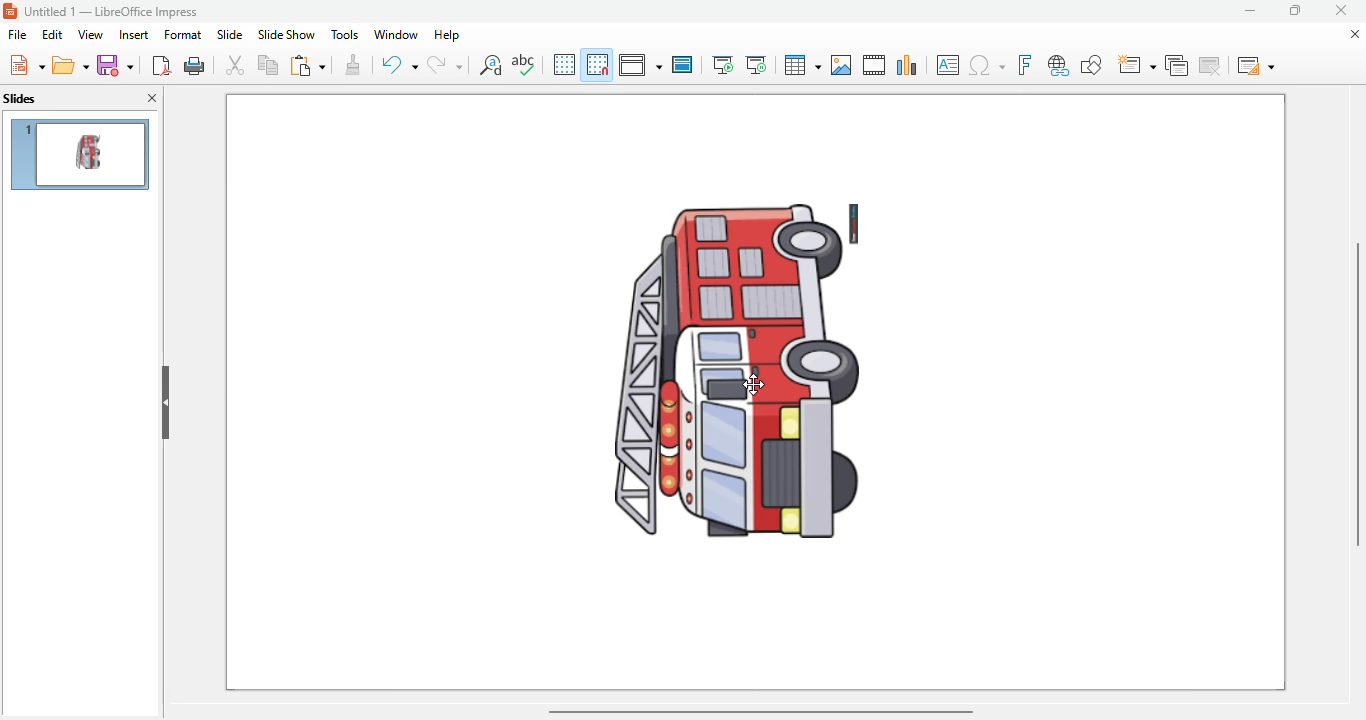 This screenshot has height=720, width=1366. Describe the element at coordinates (196, 66) in the screenshot. I see `print` at that location.